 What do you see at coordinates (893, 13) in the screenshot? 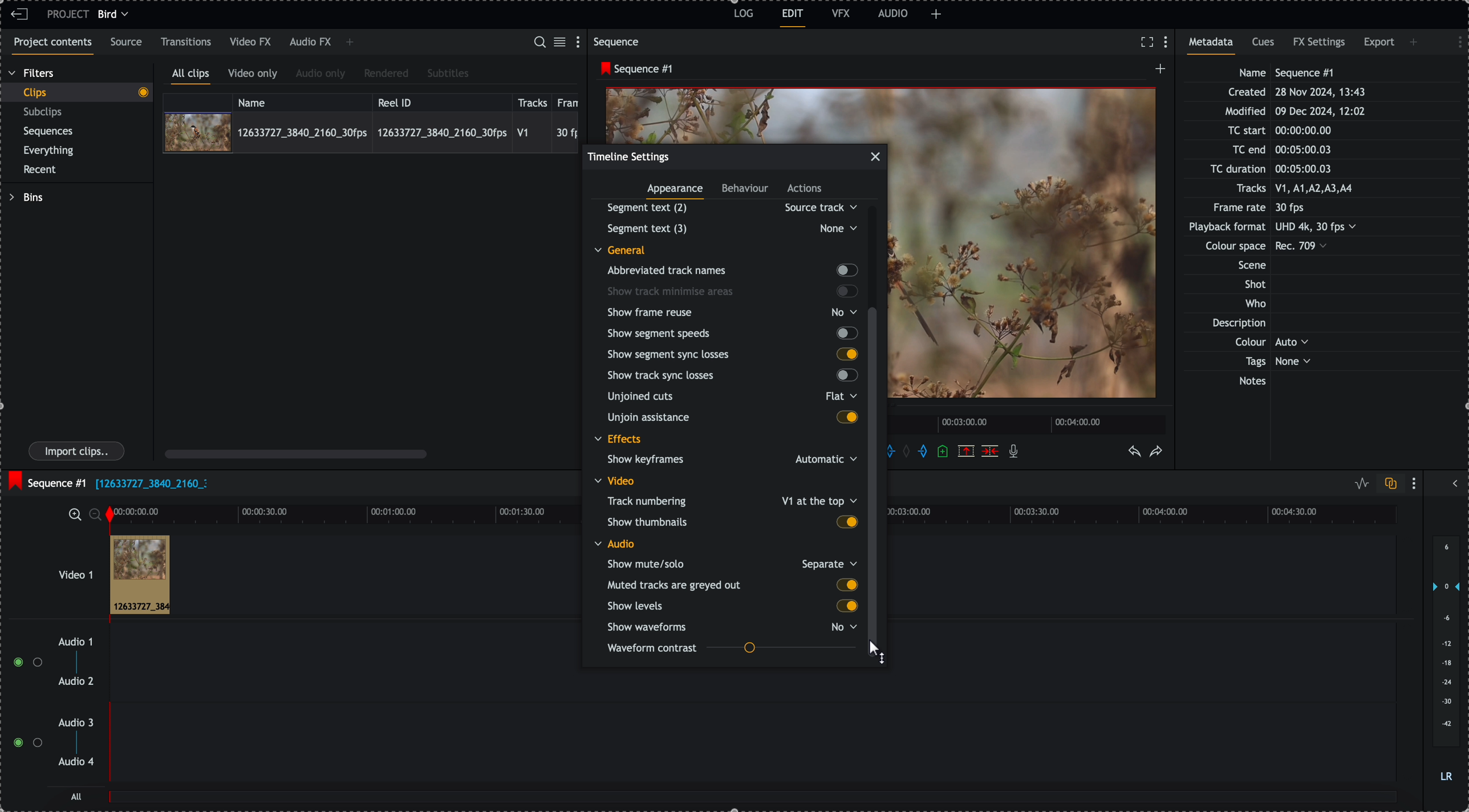
I see `AUDIO` at bounding box center [893, 13].